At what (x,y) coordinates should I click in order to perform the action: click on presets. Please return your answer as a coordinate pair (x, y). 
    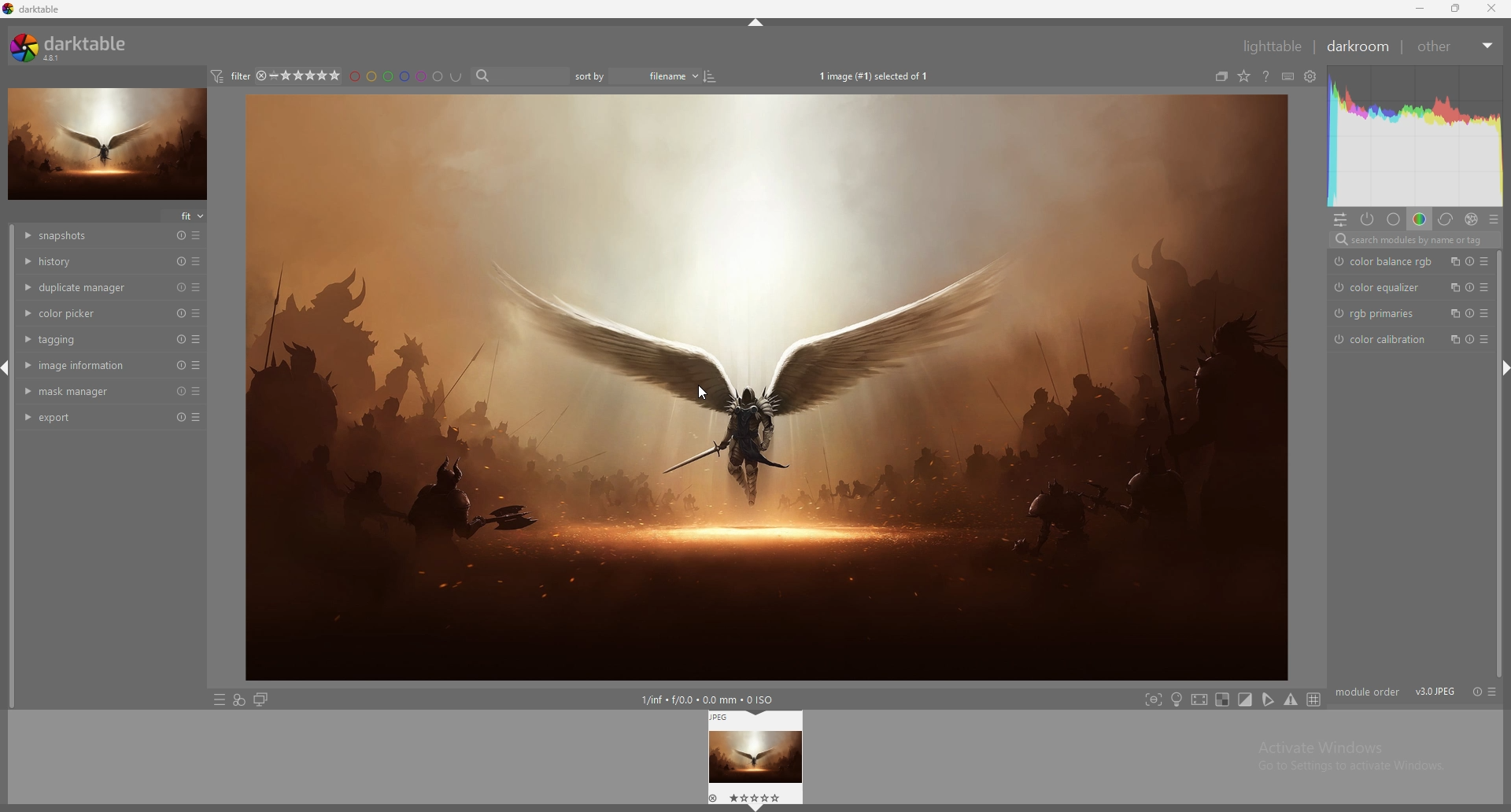
    Looking at the image, I should click on (1494, 219).